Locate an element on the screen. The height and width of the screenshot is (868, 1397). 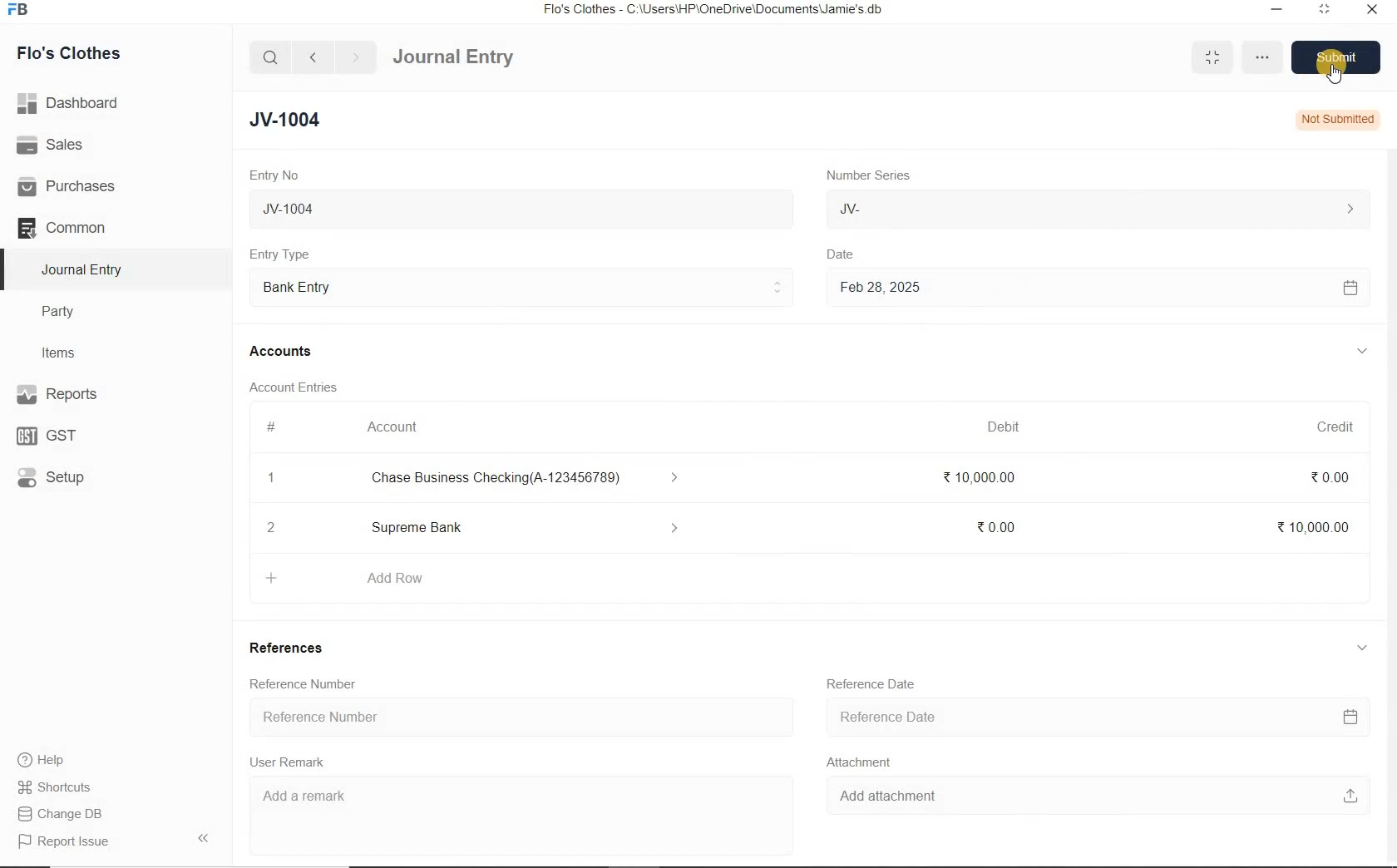
Journal Entry is located at coordinates (84, 269).